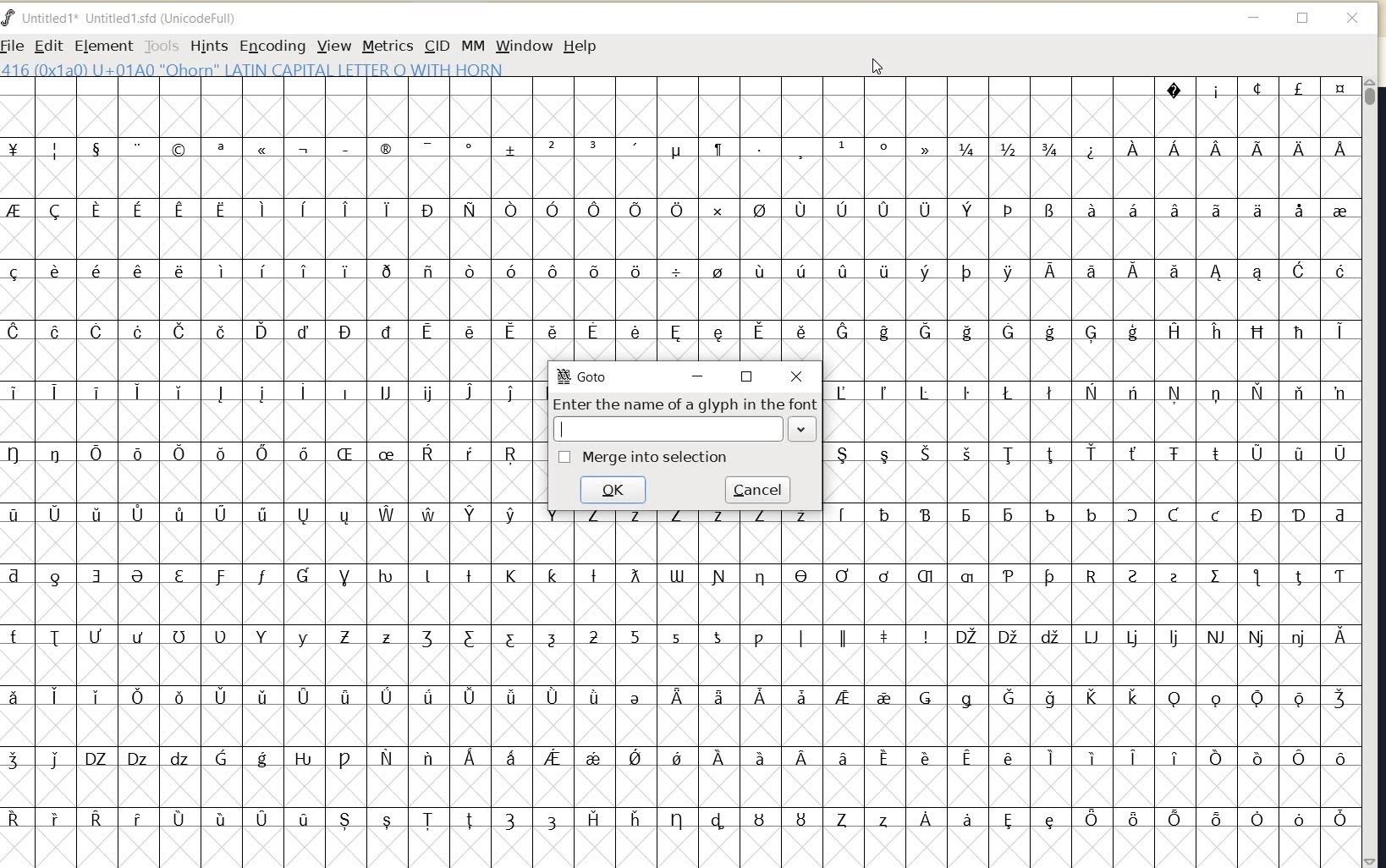 This screenshot has height=868, width=1386. I want to click on VIEW, so click(335, 46).